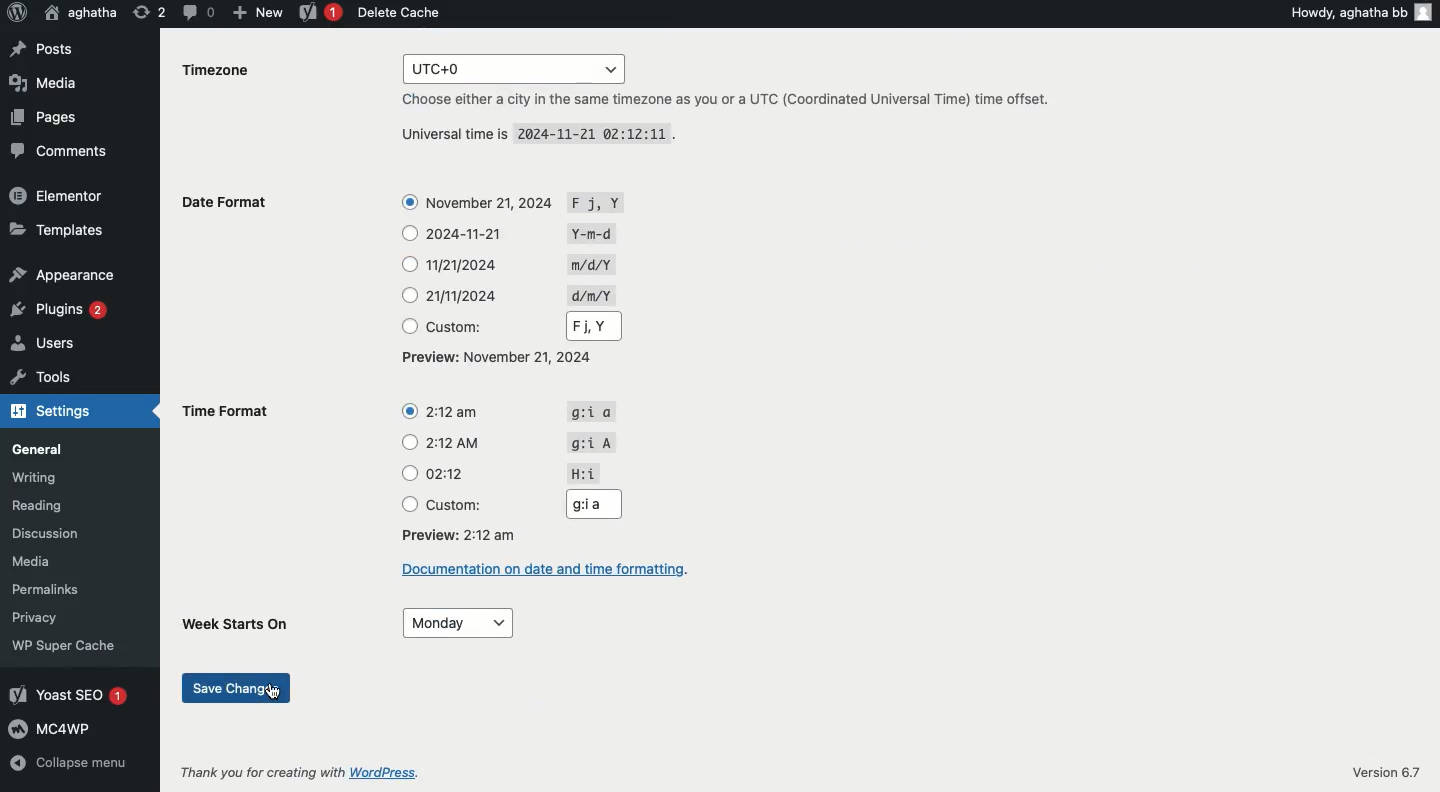 This screenshot has height=792, width=1440. I want to click on Preview, so click(458, 537).